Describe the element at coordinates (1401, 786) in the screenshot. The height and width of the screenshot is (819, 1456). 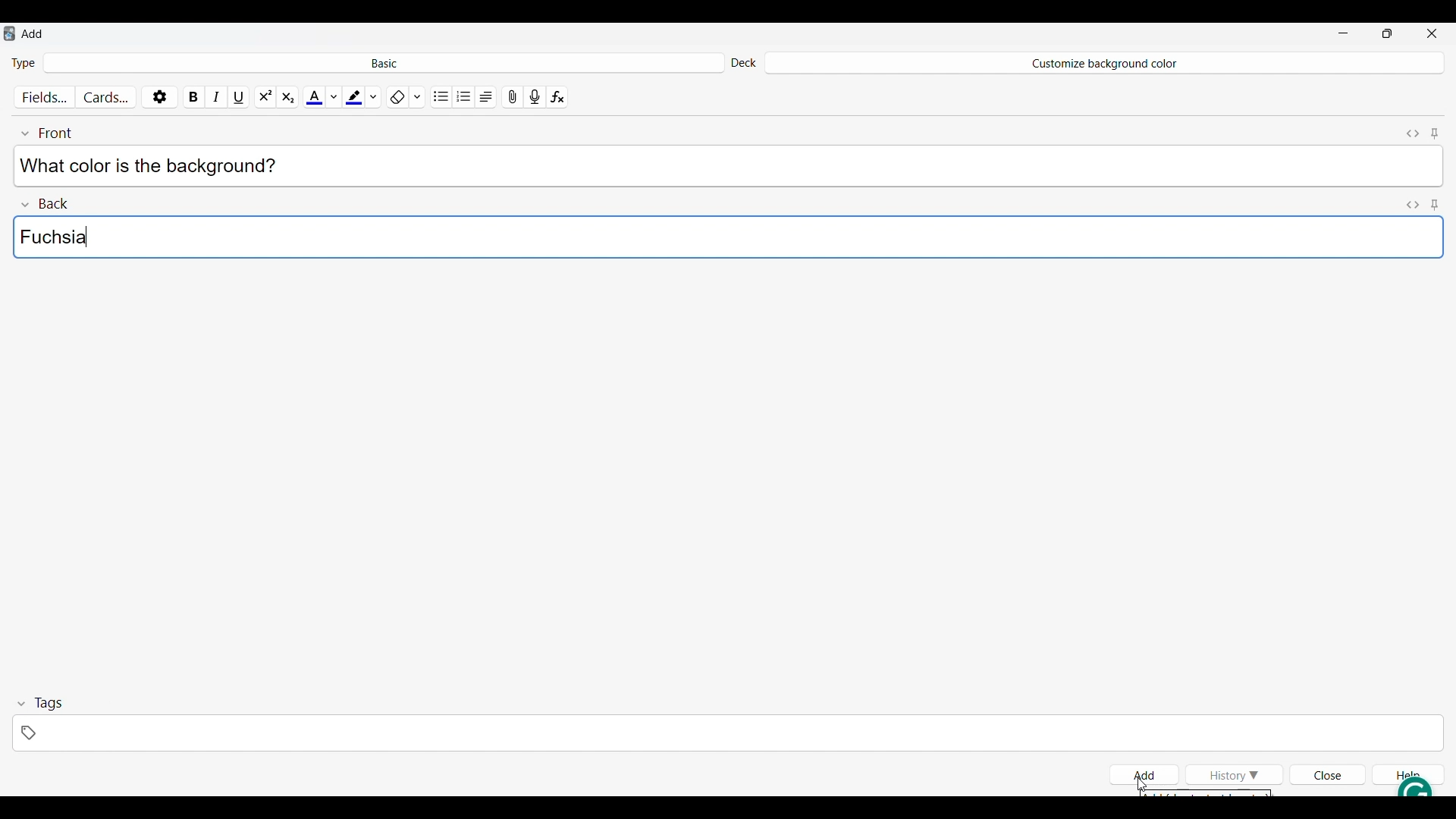
I see `Grammarly extension` at that location.